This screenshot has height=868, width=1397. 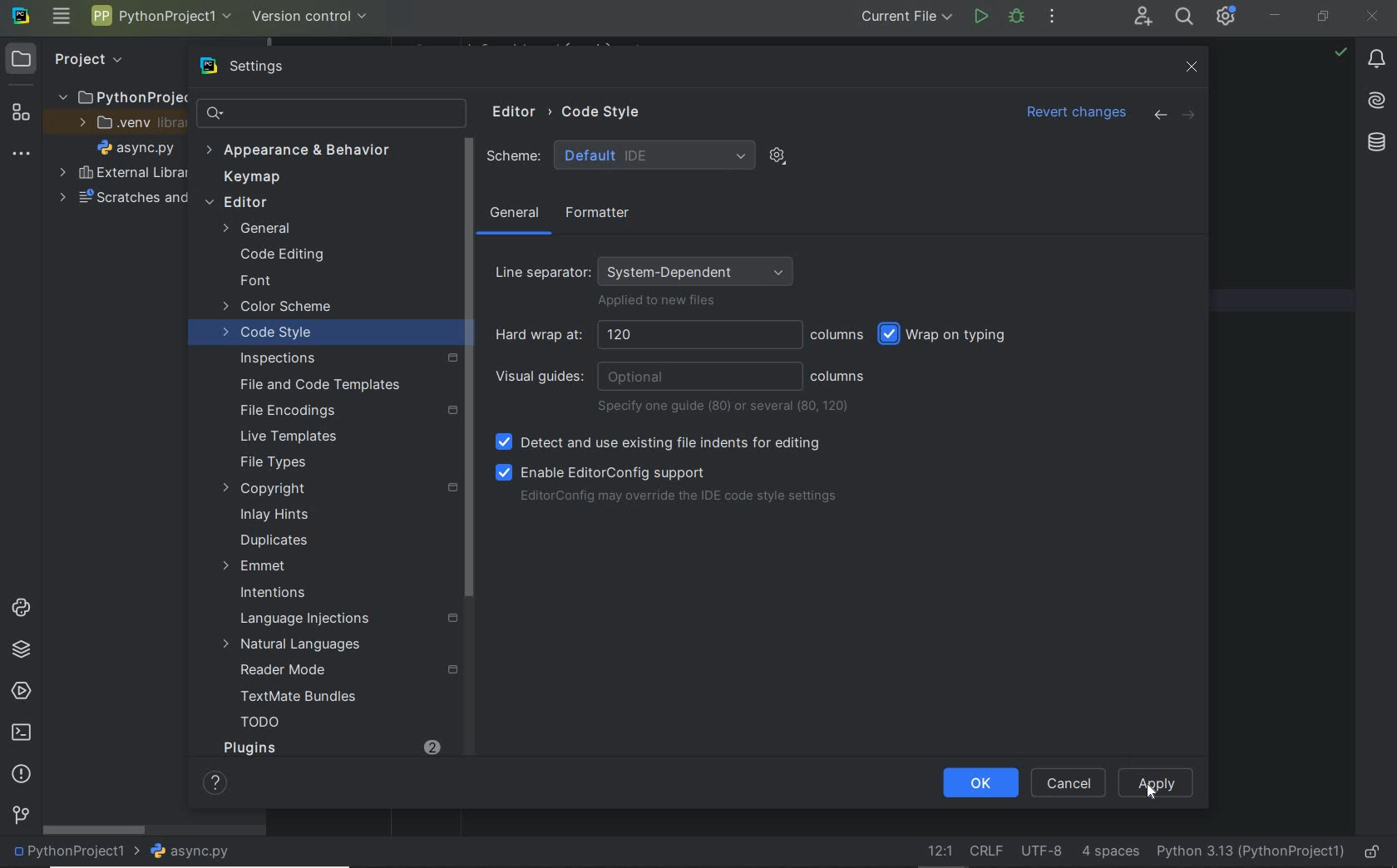 What do you see at coordinates (1249, 850) in the screenshot?
I see `current interpreter` at bounding box center [1249, 850].